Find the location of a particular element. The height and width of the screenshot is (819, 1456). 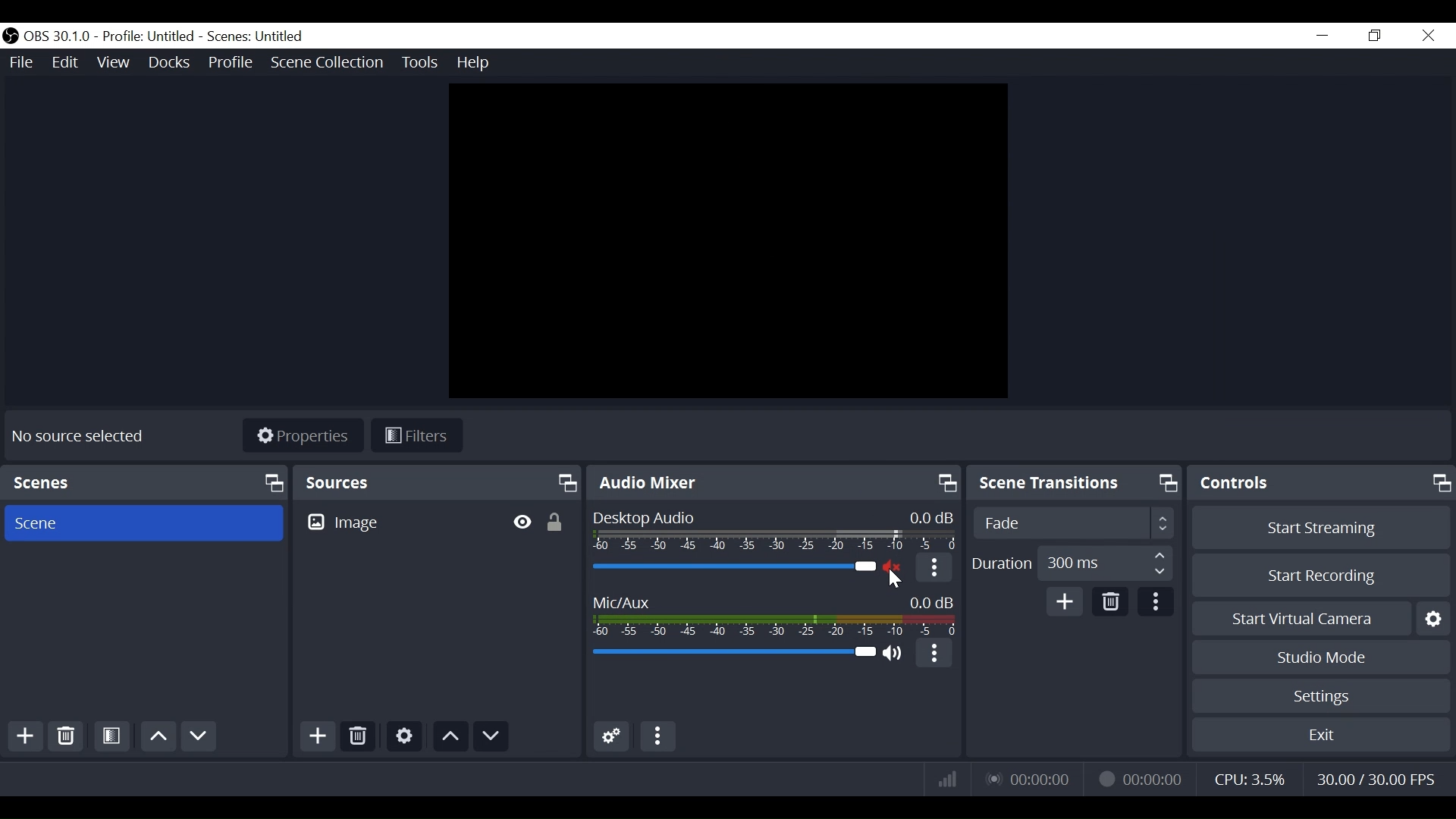

Exit is located at coordinates (1318, 735).